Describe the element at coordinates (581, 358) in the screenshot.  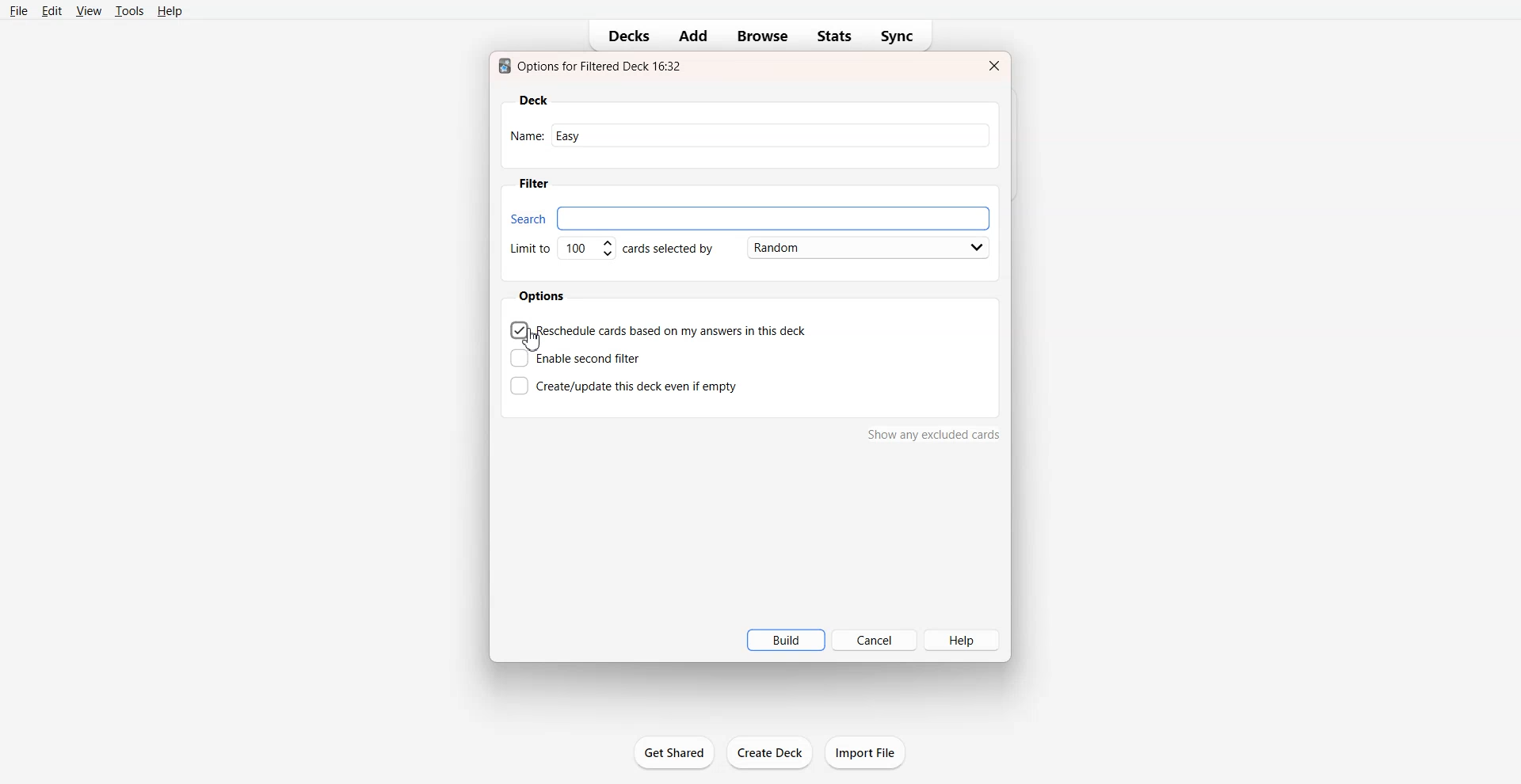
I see `Enable second filter` at that location.